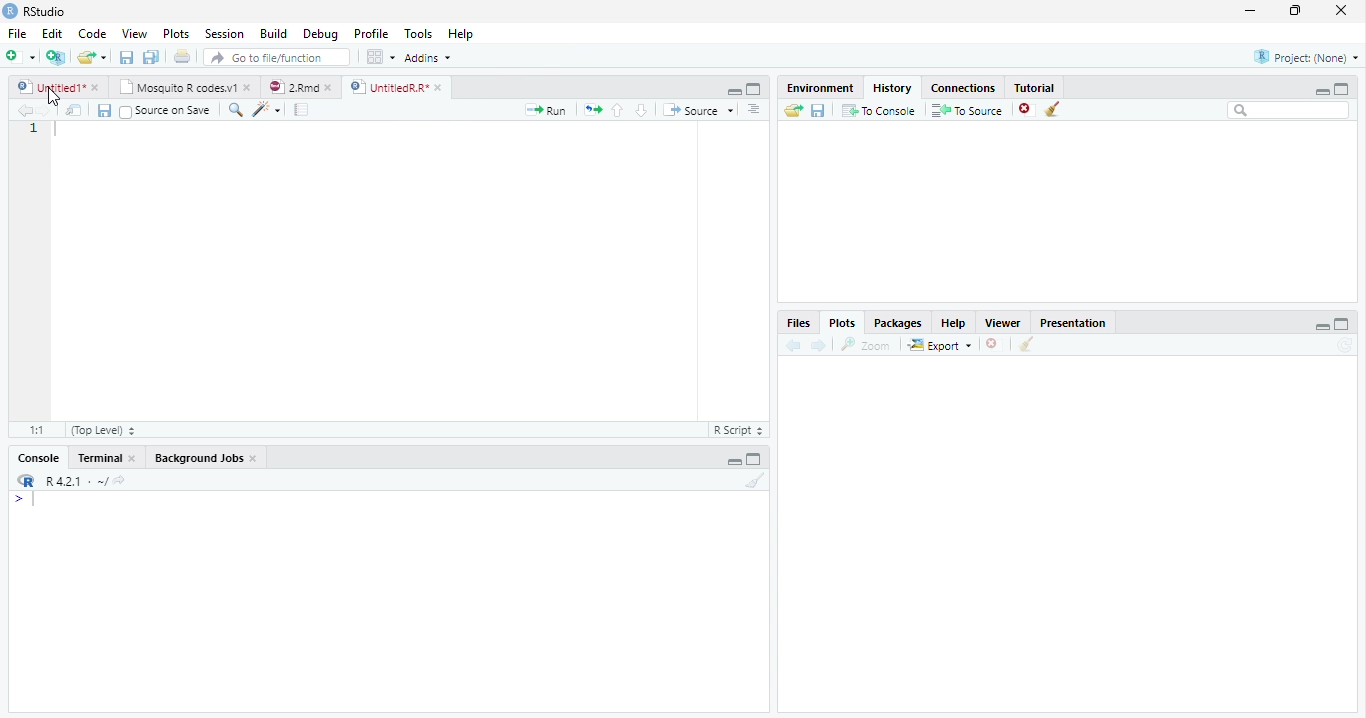 This screenshot has width=1366, height=718. Describe the element at coordinates (226, 34) in the screenshot. I see `Session` at that location.